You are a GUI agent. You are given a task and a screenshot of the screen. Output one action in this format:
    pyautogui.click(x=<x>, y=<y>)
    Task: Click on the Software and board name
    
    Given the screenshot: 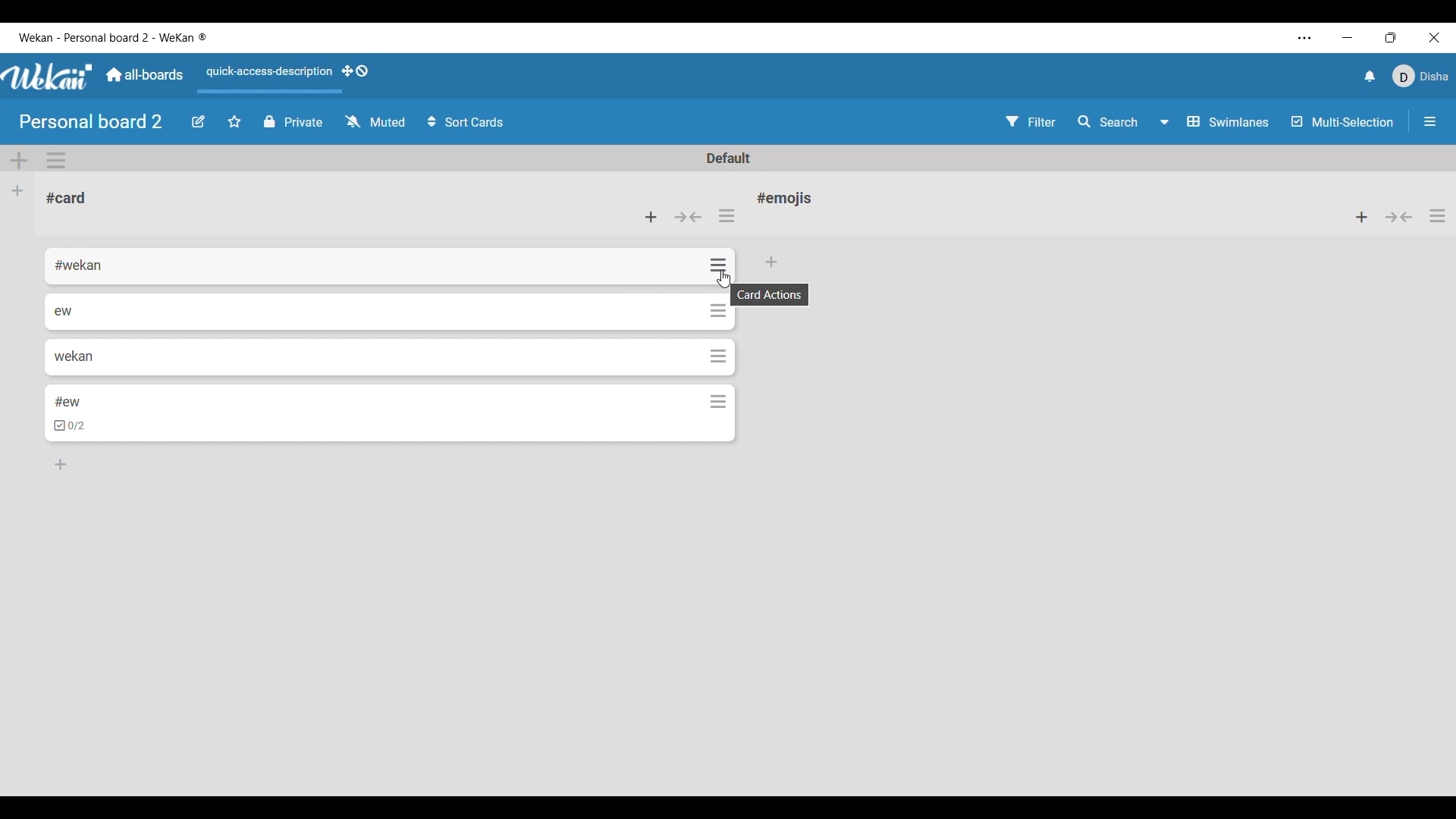 What is the action you would take?
    pyautogui.click(x=111, y=37)
    